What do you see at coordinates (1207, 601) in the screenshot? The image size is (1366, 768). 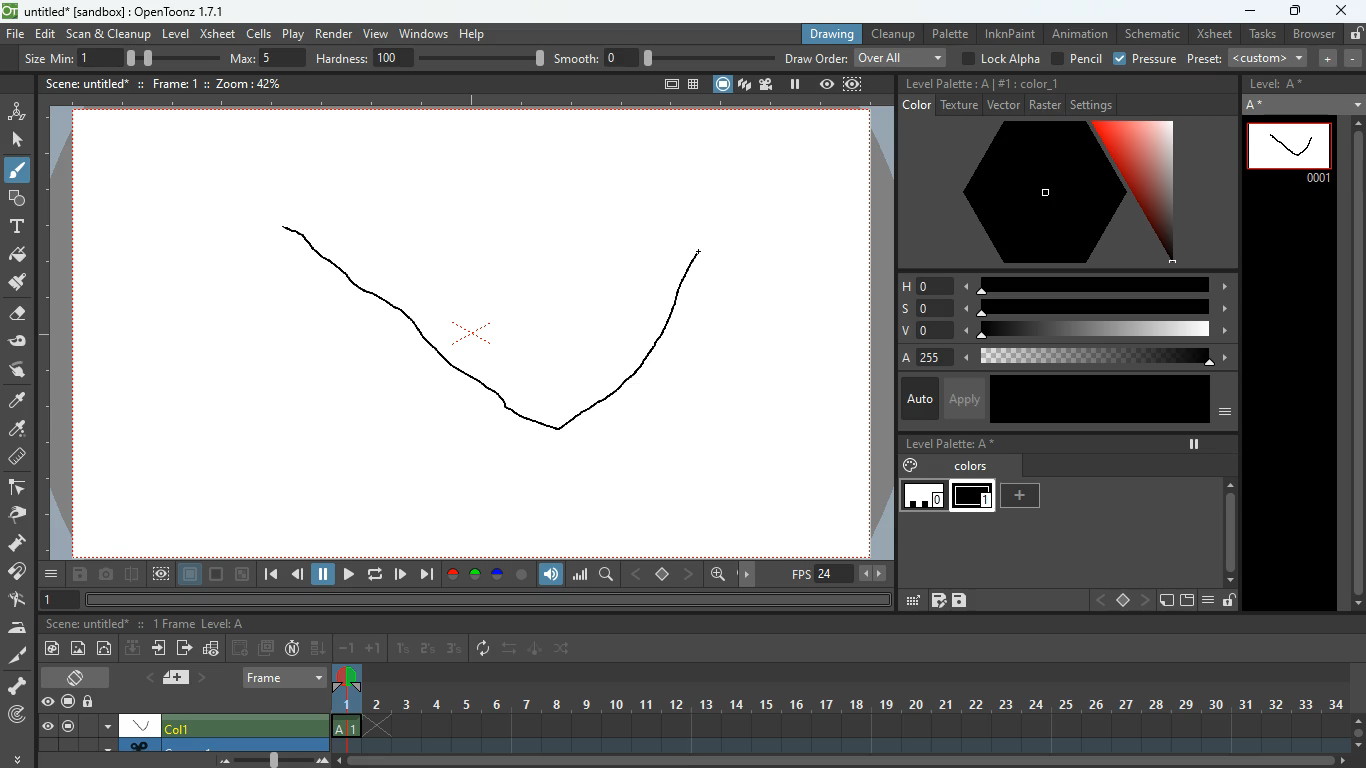 I see `menu` at bounding box center [1207, 601].